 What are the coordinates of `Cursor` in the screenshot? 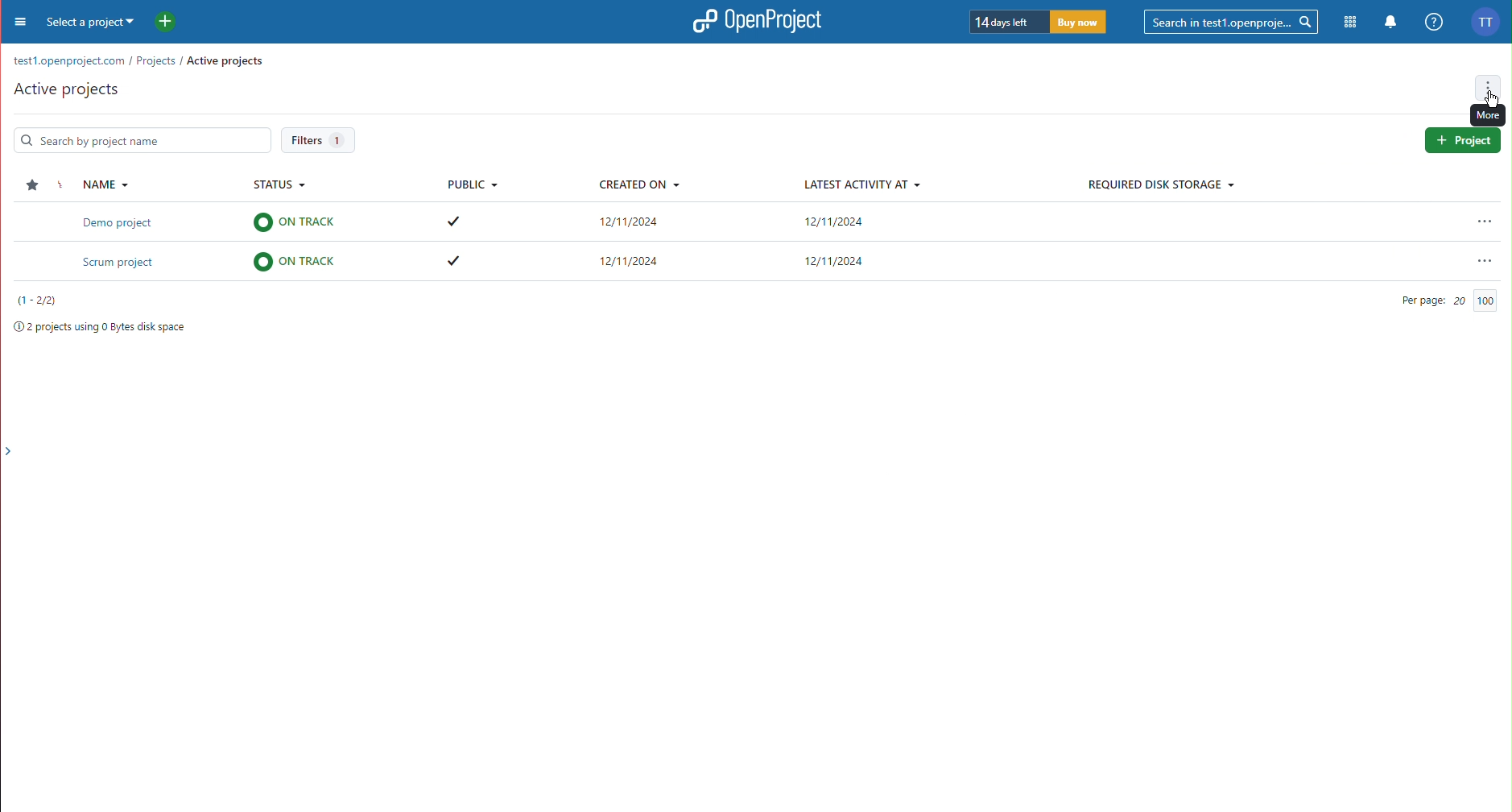 It's located at (1494, 101).